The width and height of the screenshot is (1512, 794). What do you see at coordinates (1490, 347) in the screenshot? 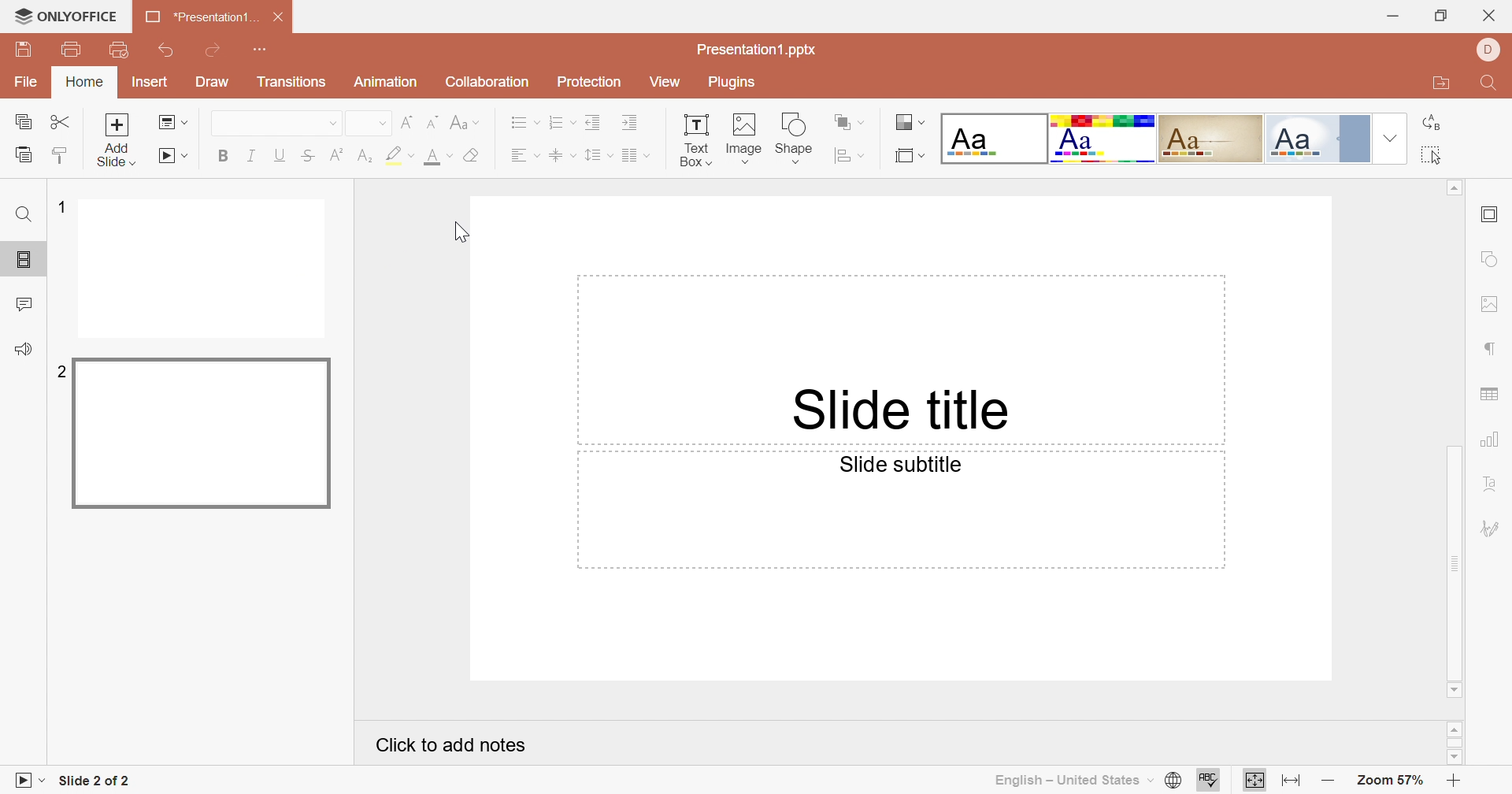
I see `paragraph settings` at bounding box center [1490, 347].